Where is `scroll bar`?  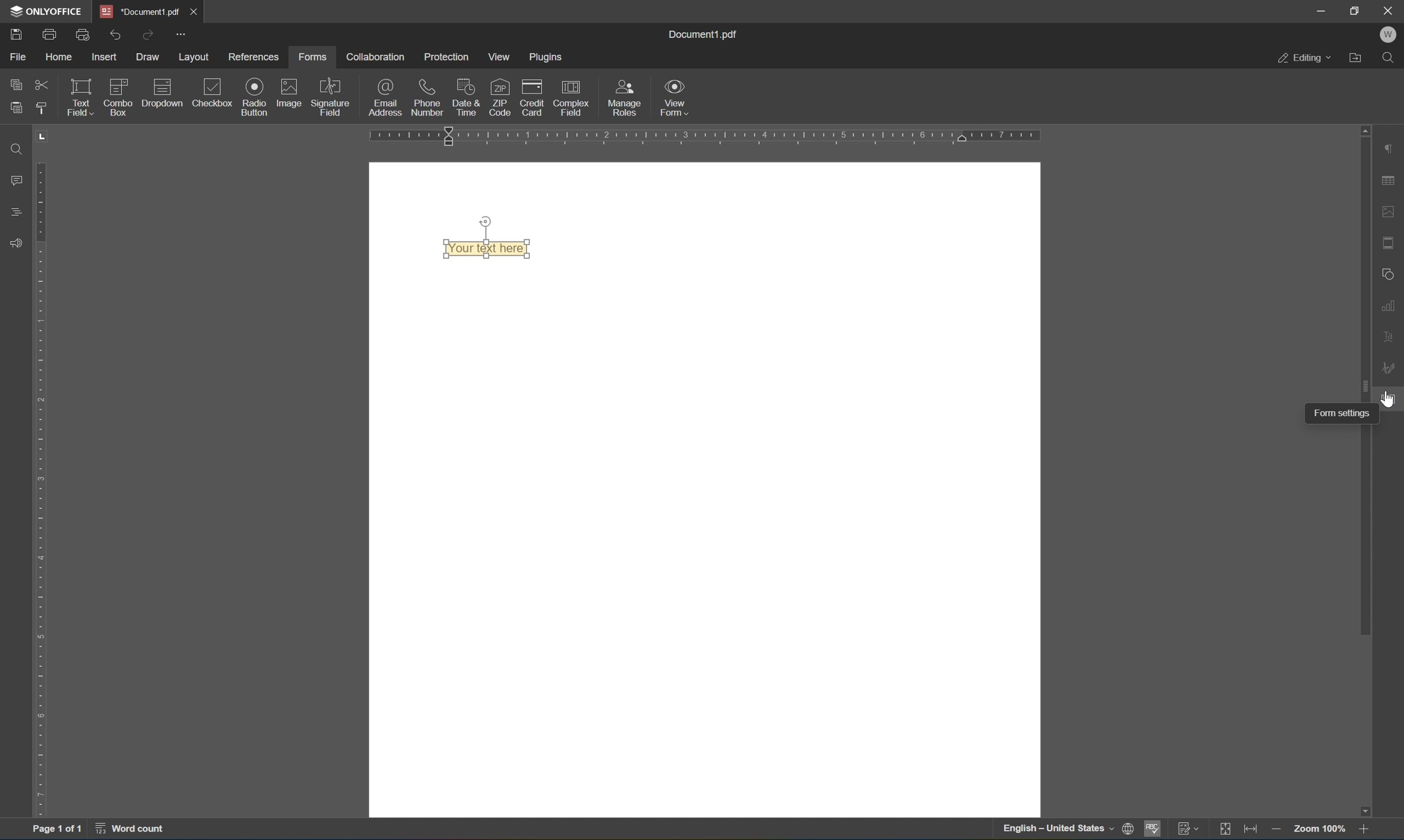
scroll bar is located at coordinates (1363, 268).